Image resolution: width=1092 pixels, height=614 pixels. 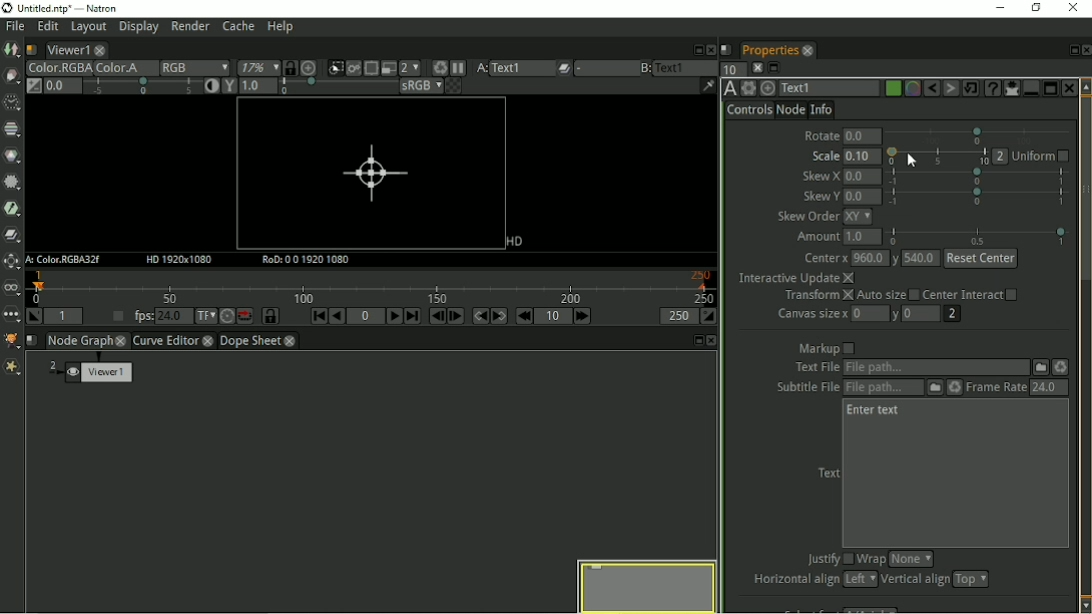 I want to click on Next increment, so click(x=583, y=316).